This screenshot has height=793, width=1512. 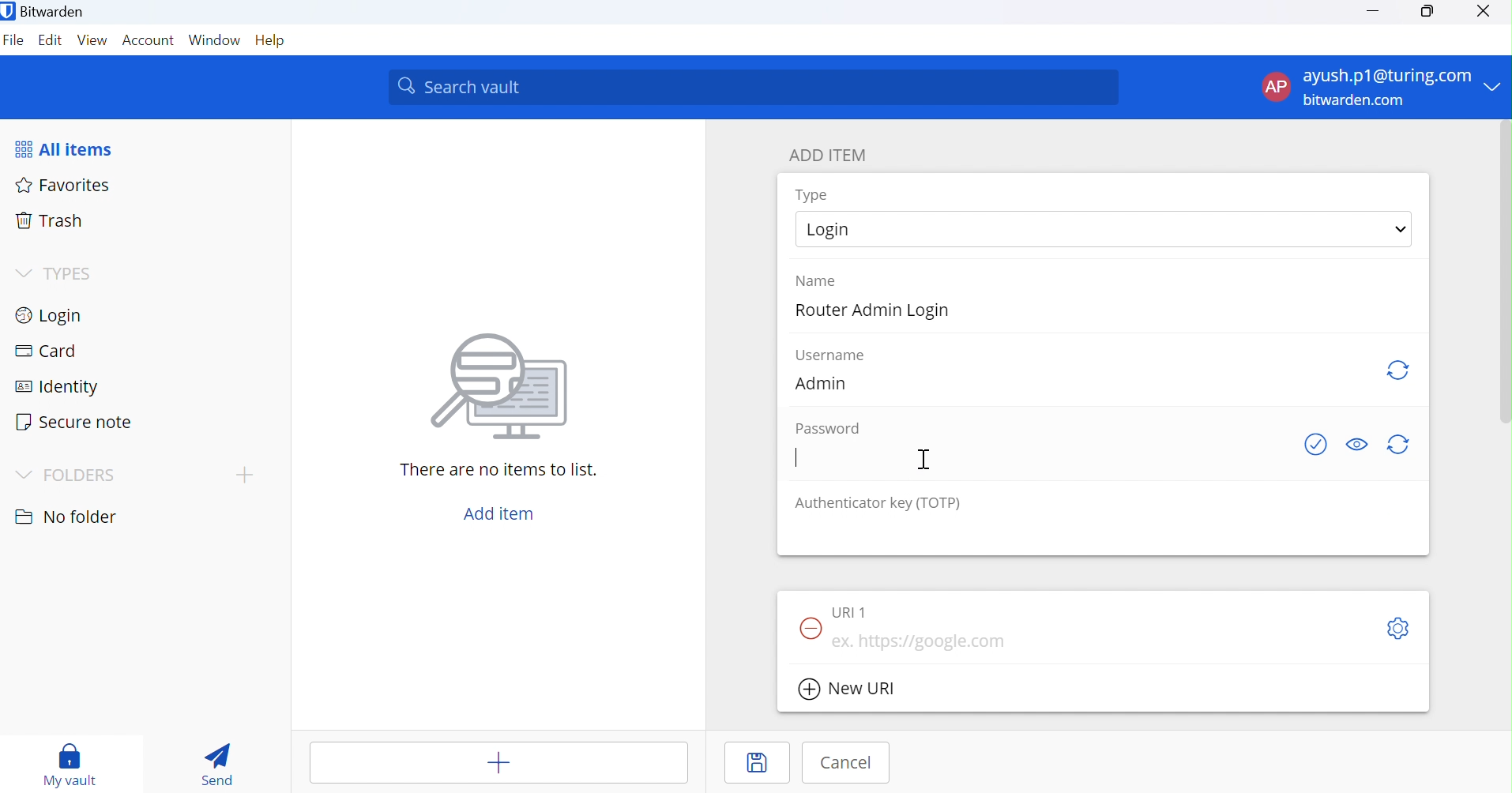 I want to click on vertical scrollbar, so click(x=1506, y=272).